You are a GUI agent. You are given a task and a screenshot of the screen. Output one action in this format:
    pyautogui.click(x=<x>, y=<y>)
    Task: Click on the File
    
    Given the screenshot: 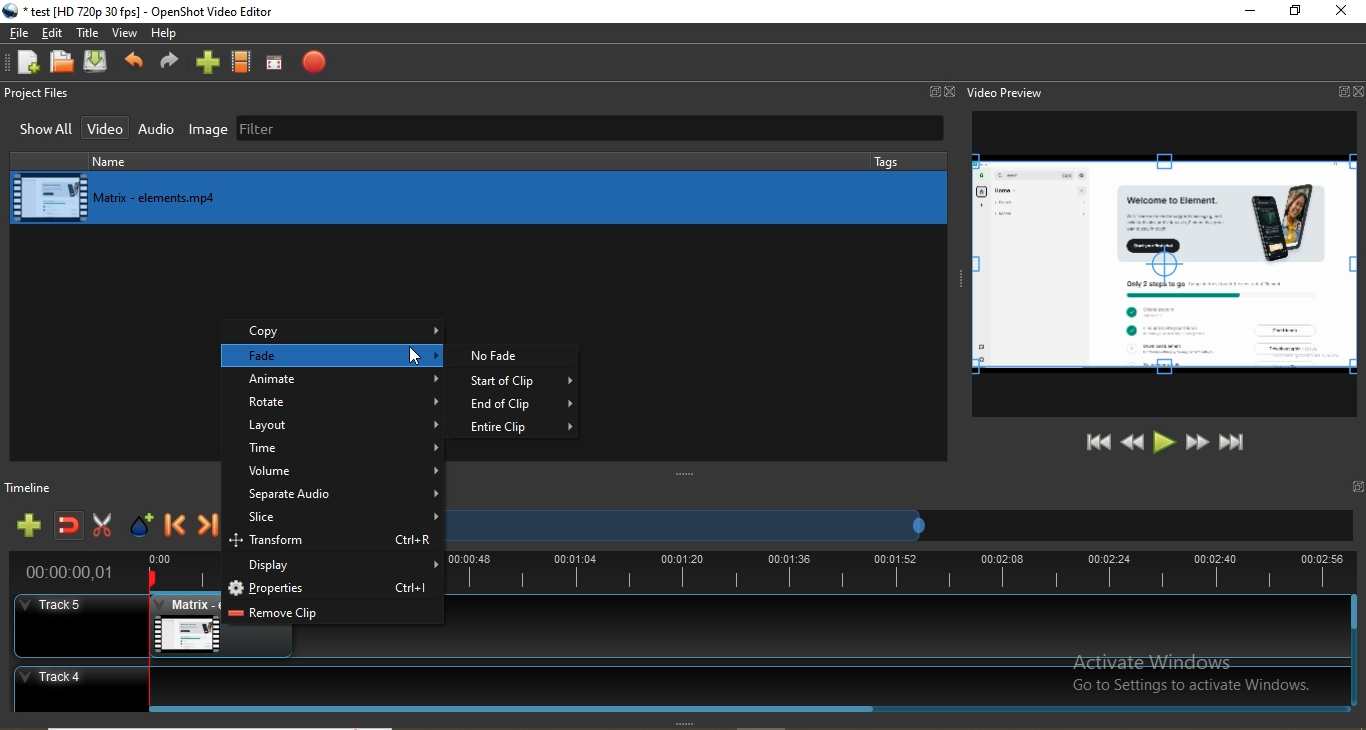 What is the action you would take?
    pyautogui.click(x=17, y=34)
    